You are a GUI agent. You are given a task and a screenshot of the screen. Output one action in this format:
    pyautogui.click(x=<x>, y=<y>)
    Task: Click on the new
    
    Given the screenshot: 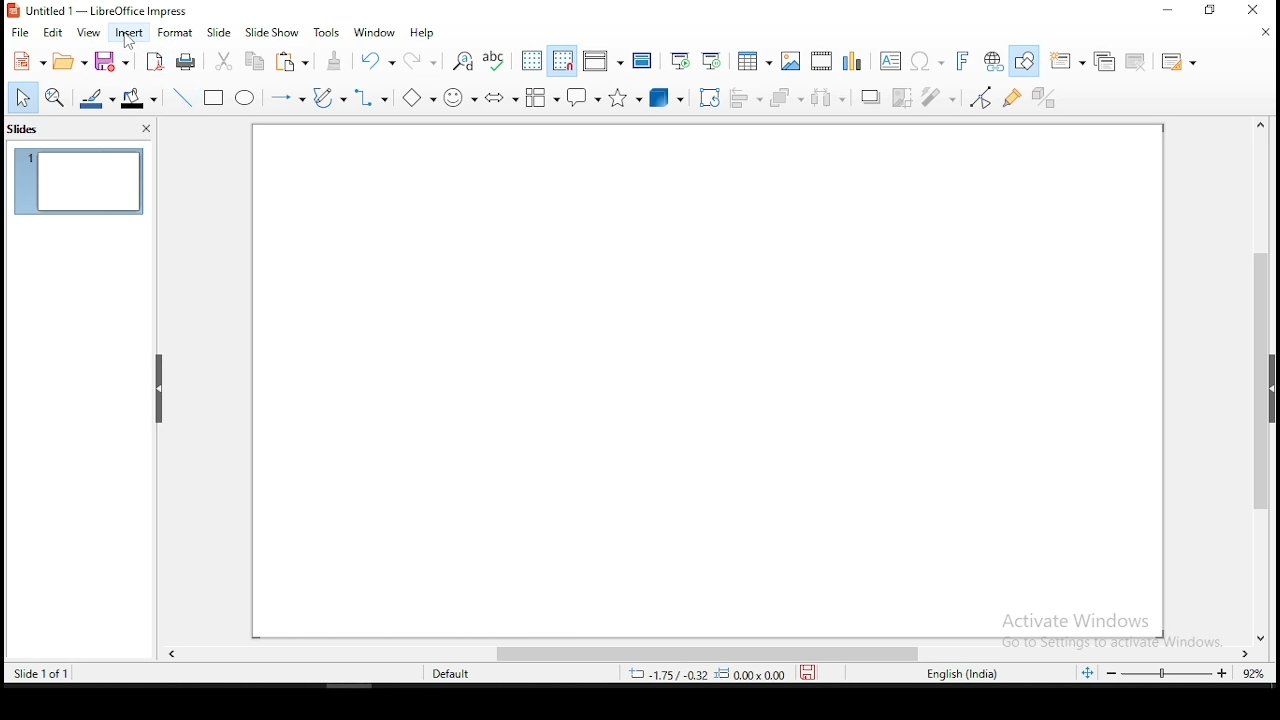 What is the action you would take?
    pyautogui.click(x=28, y=60)
    